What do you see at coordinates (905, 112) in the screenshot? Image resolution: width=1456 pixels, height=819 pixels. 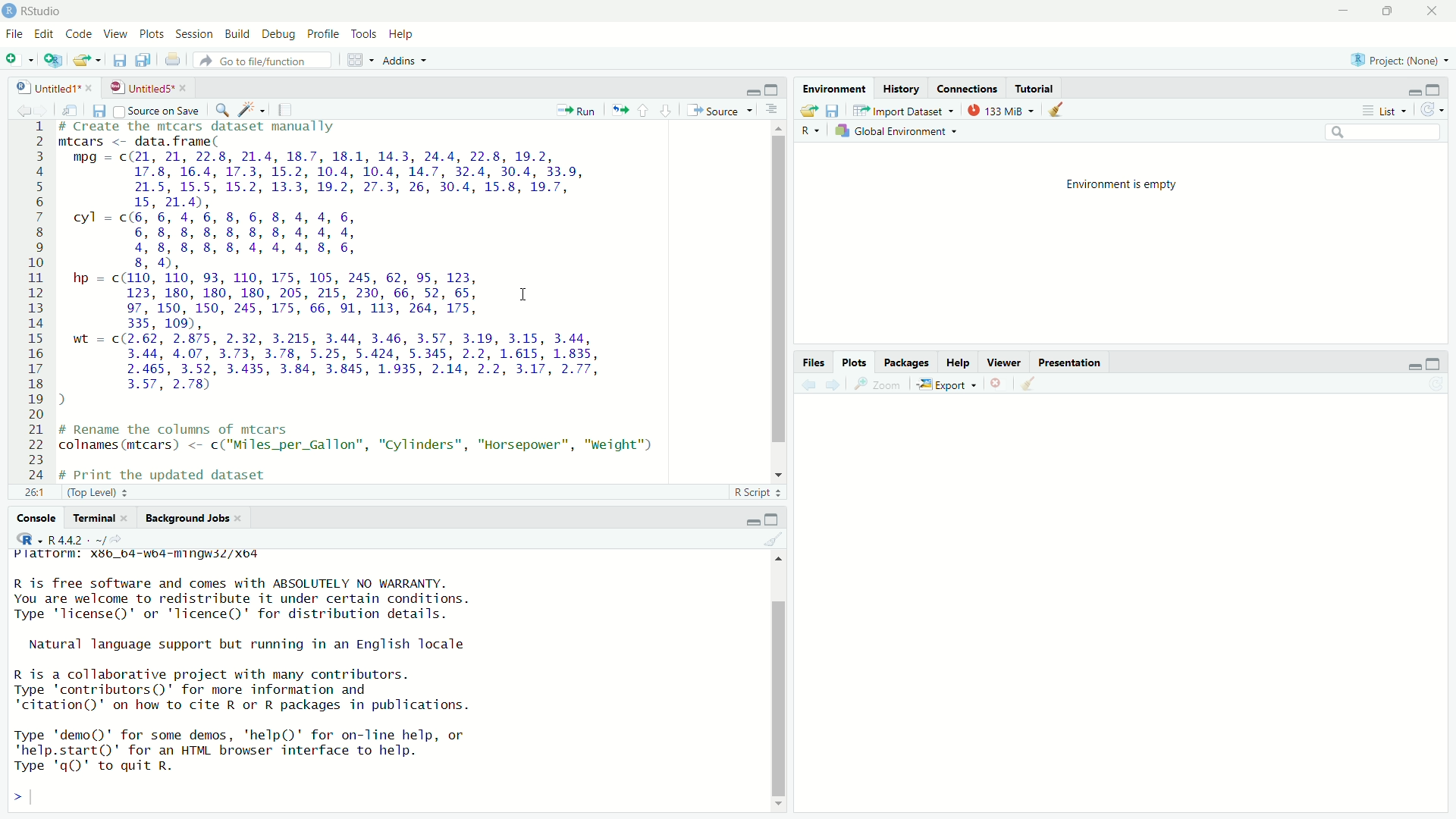 I see `"Import Dataset ~` at bounding box center [905, 112].